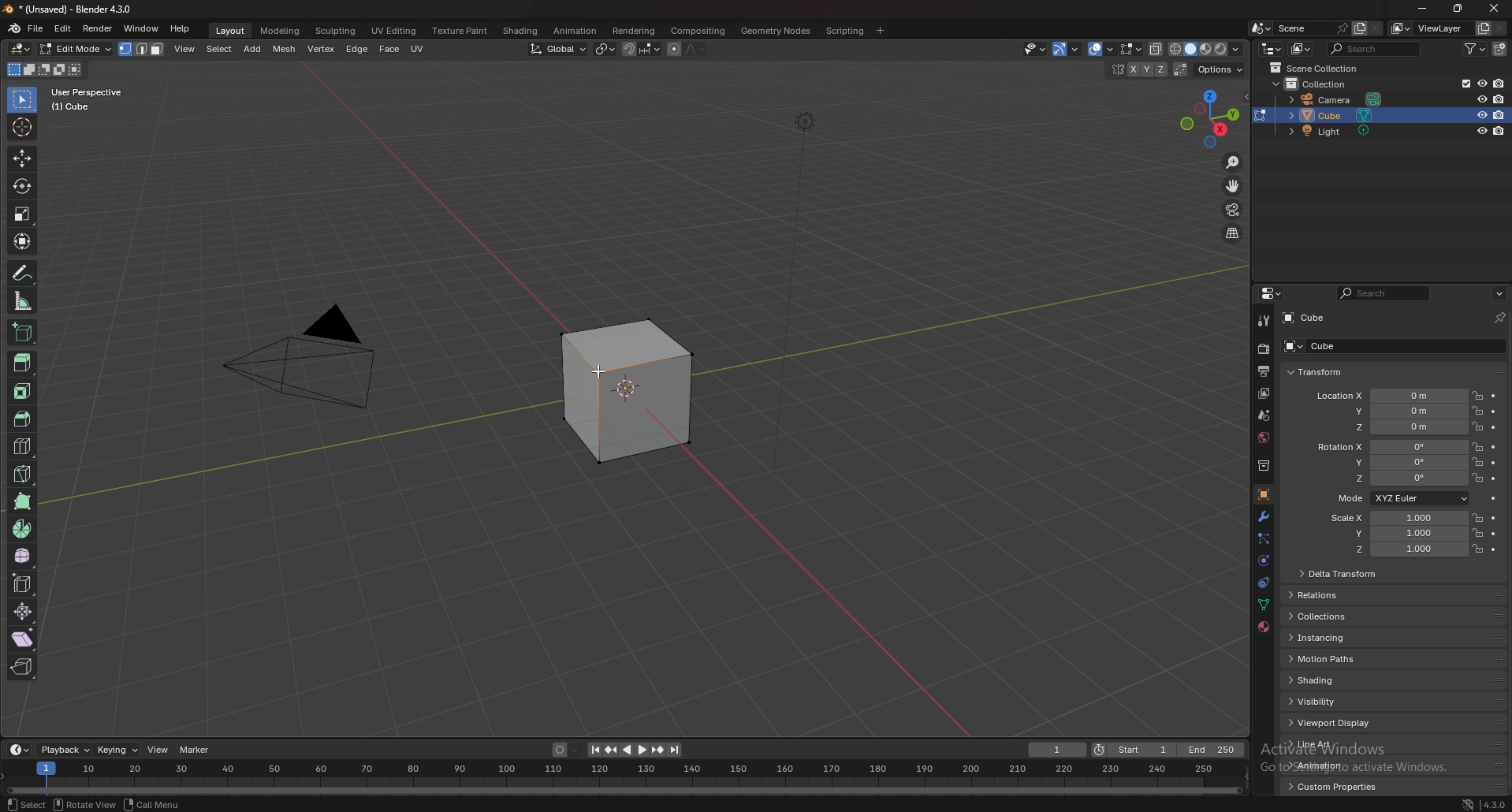  Describe the element at coordinates (635, 750) in the screenshot. I see `play` at that location.